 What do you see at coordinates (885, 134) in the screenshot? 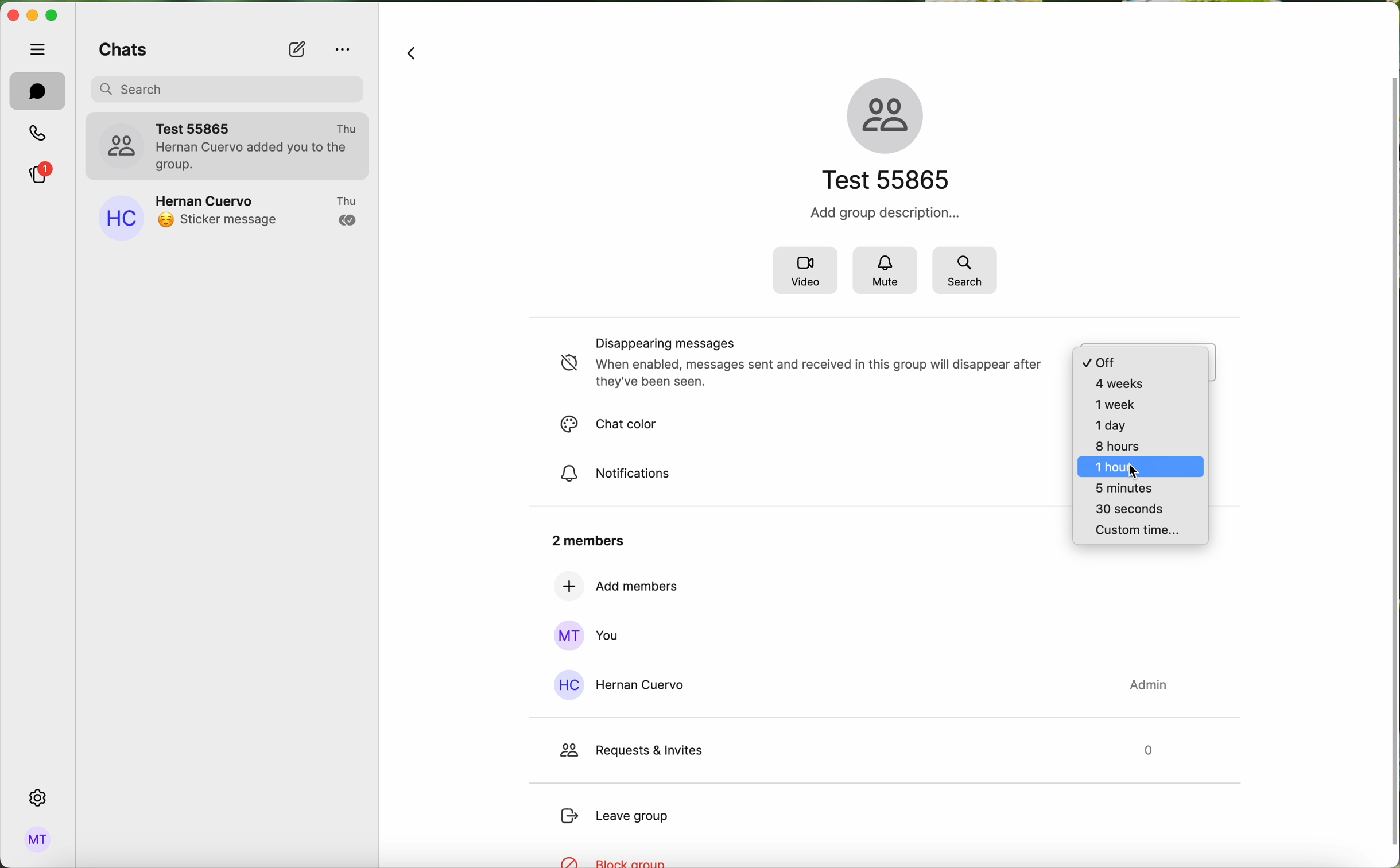
I see `name of the group and icon` at bounding box center [885, 134].